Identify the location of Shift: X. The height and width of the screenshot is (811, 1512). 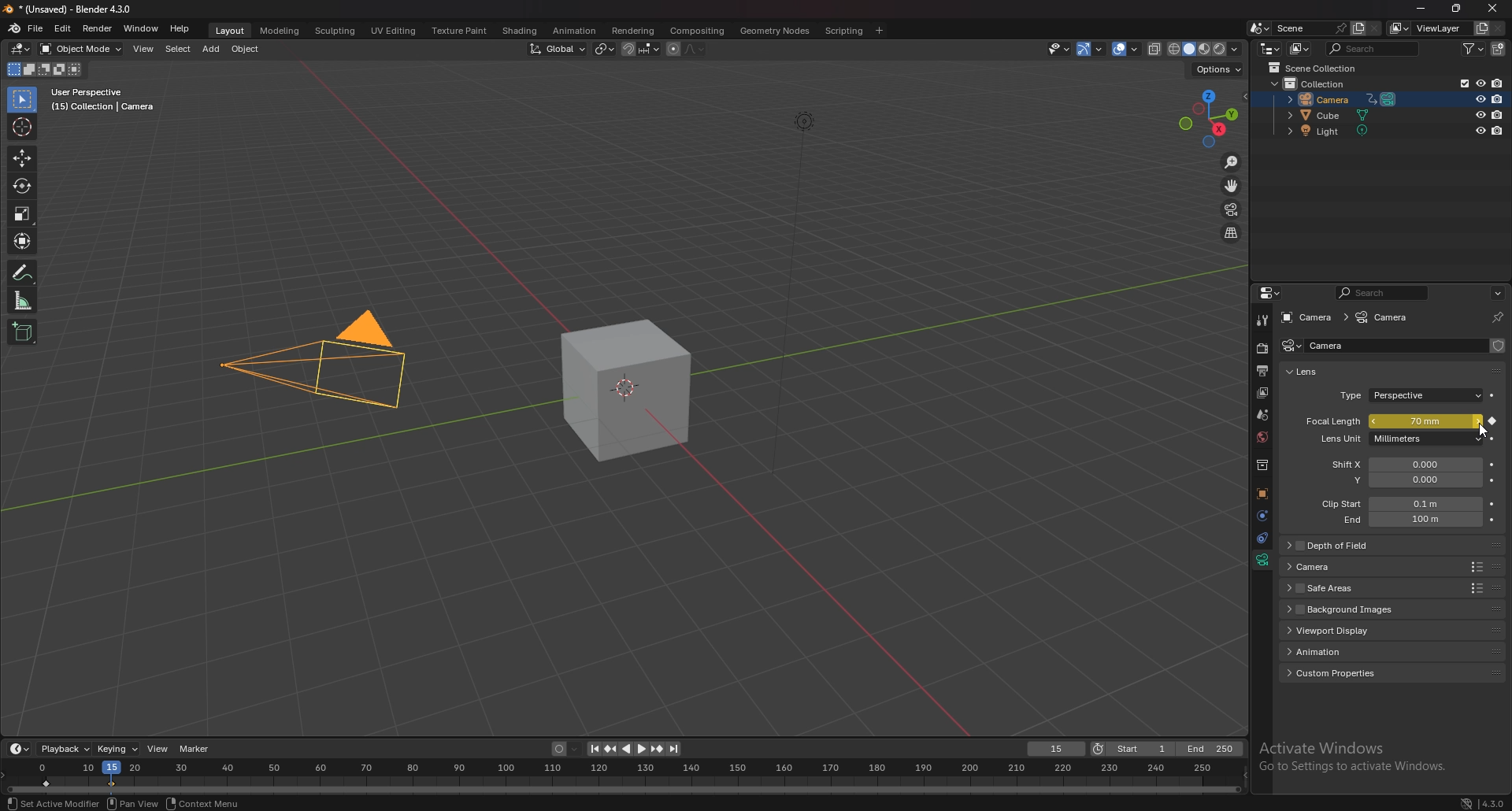
(1404, 465).